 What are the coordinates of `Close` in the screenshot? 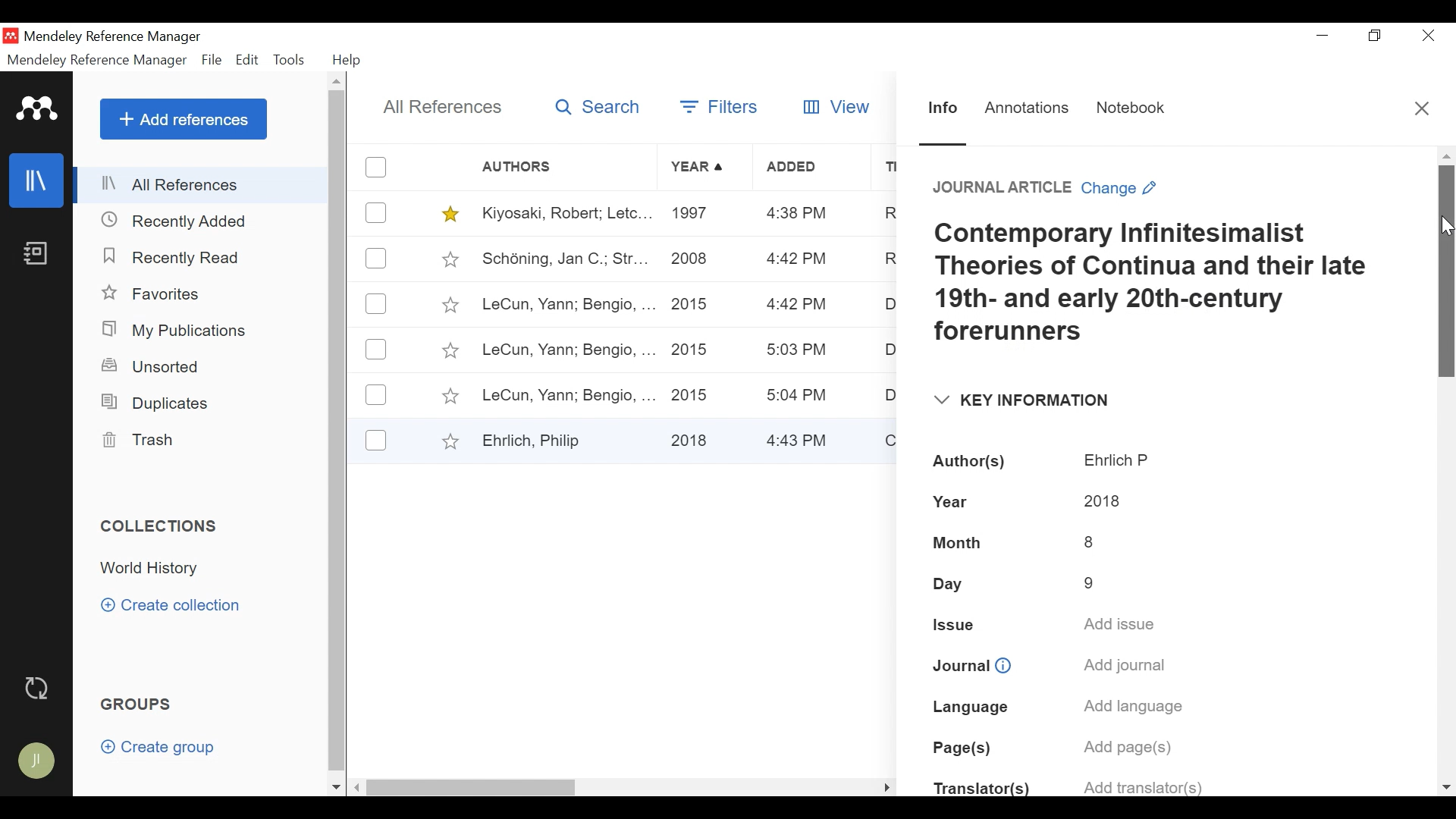 It's located at (1422, 108).